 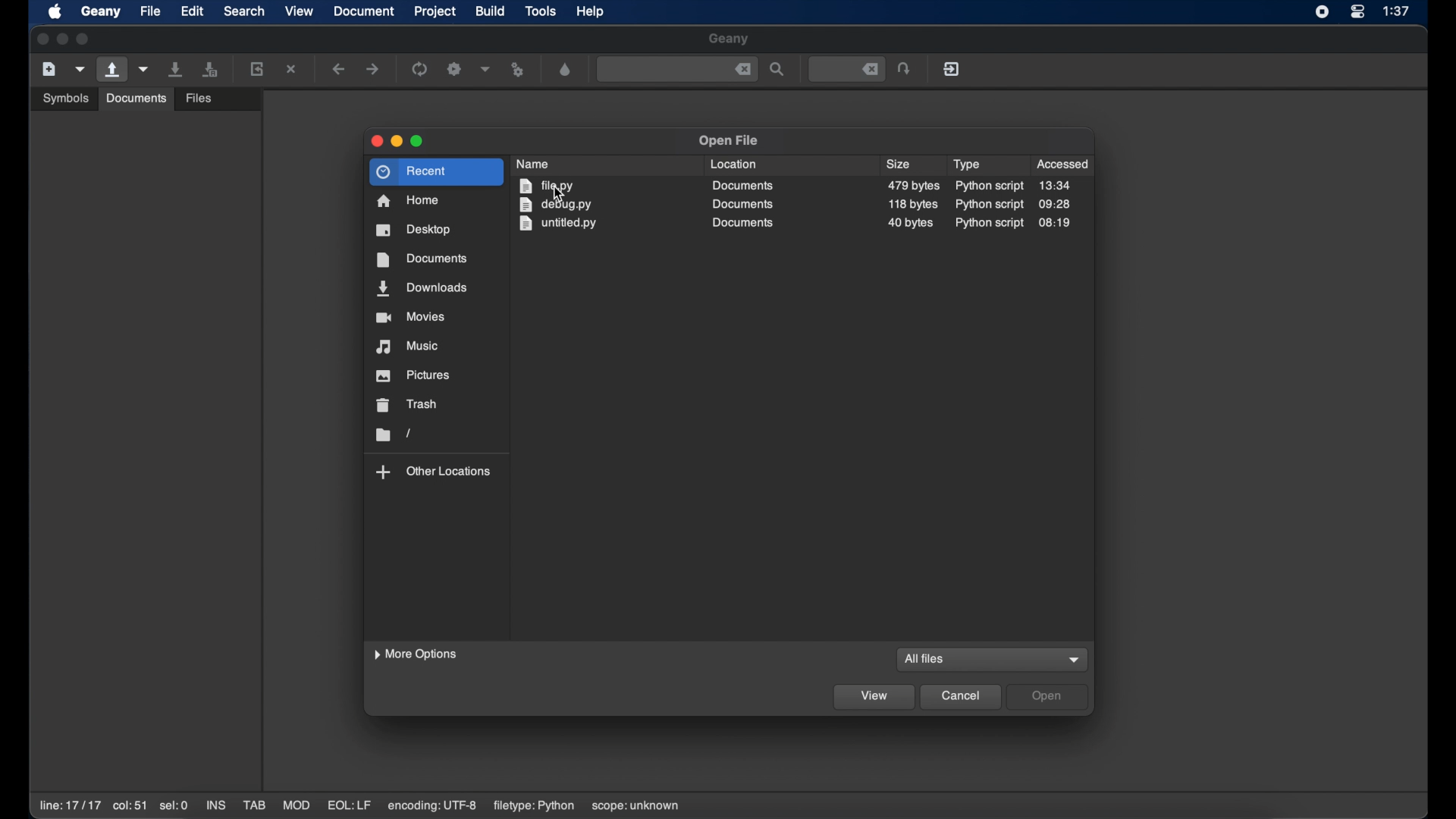 What do you see at coordinates (1398, 11) in the screenshot?
I see `time` at bounding box center [1398, 11].